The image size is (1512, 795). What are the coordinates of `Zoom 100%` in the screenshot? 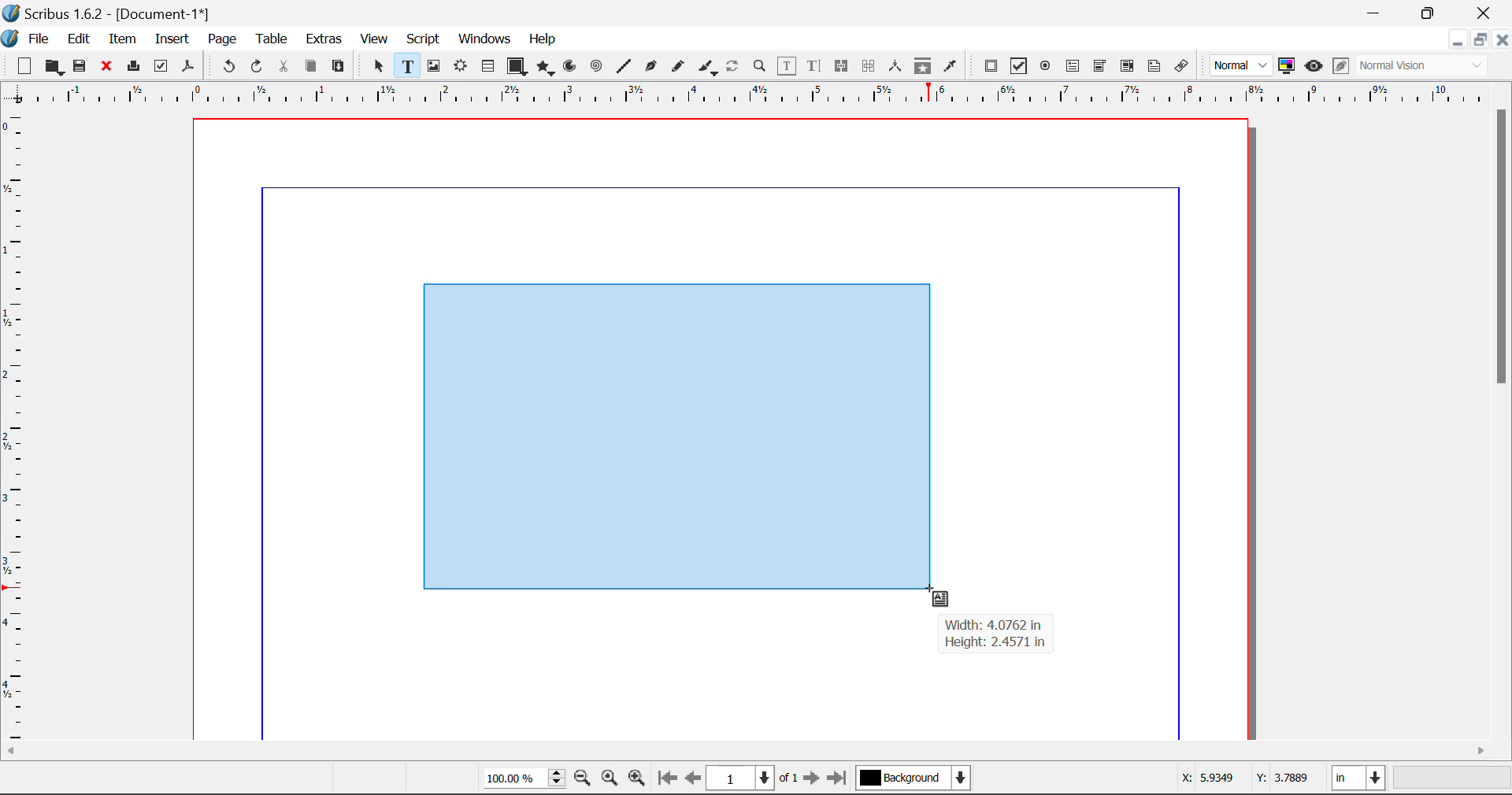 It's located at (524, 779).